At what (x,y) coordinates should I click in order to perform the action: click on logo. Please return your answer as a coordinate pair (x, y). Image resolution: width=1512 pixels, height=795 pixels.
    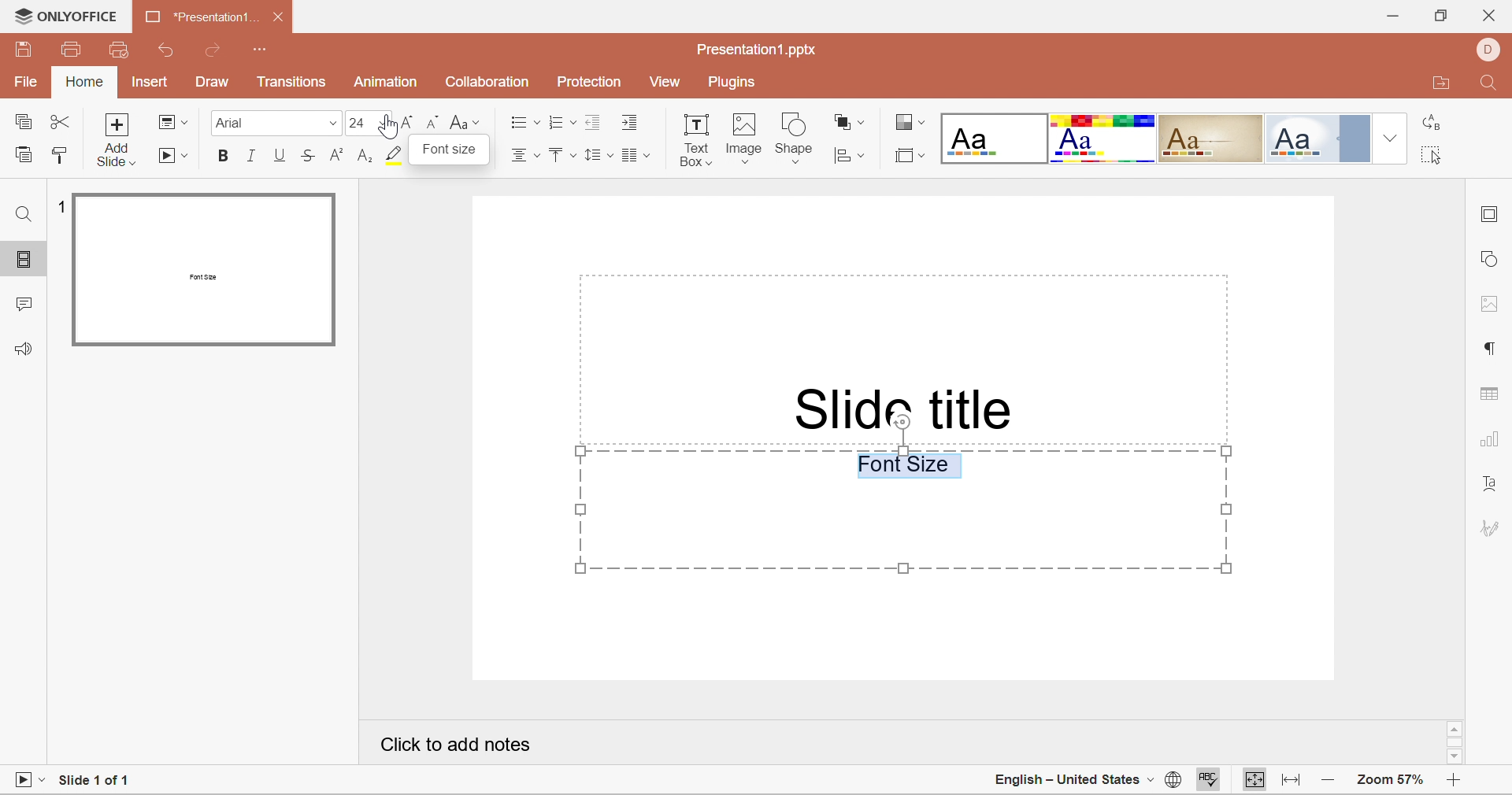
    Looking at the image, I should click on (18, 15).